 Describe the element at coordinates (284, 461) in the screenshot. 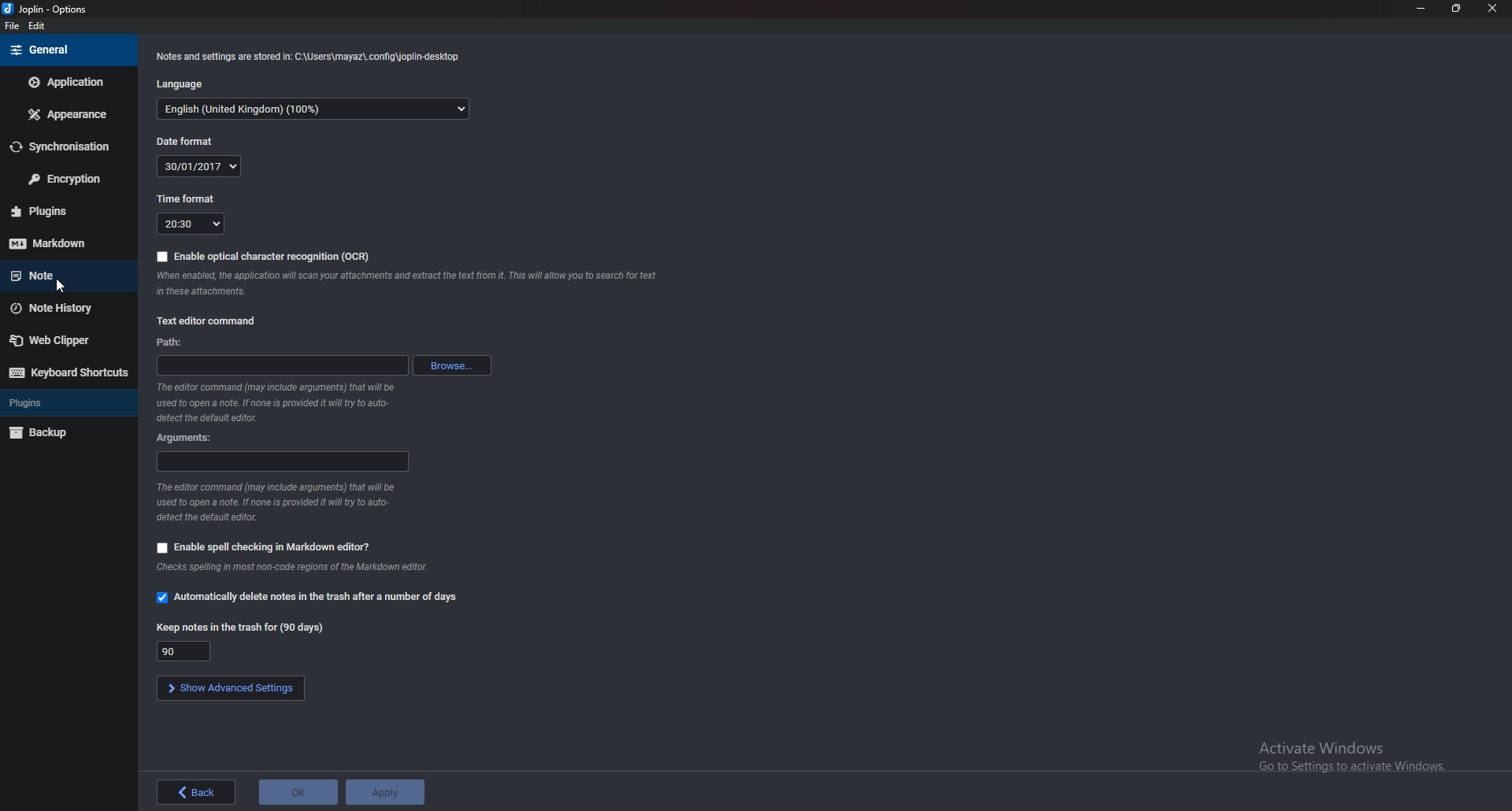

I see `Arguments` at that location.